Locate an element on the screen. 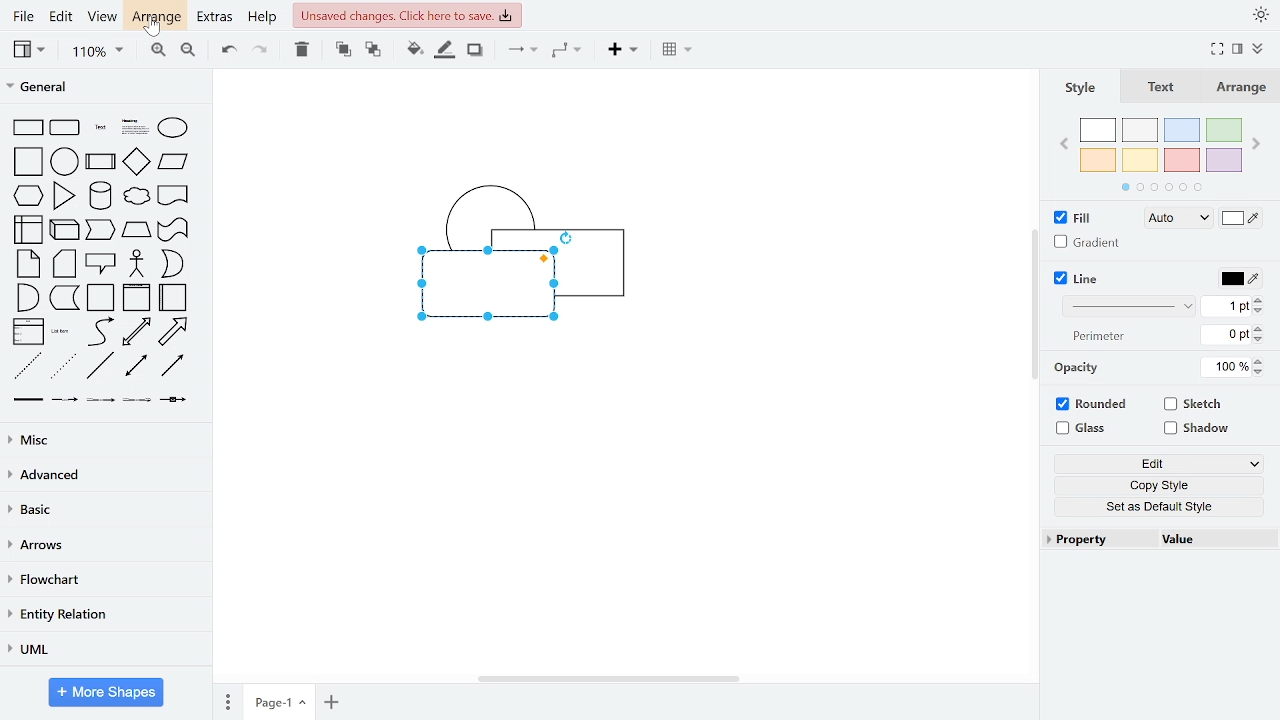 The width and height of the screenshot is (1280, 720). opacity is located at coordinates (1075, 369).